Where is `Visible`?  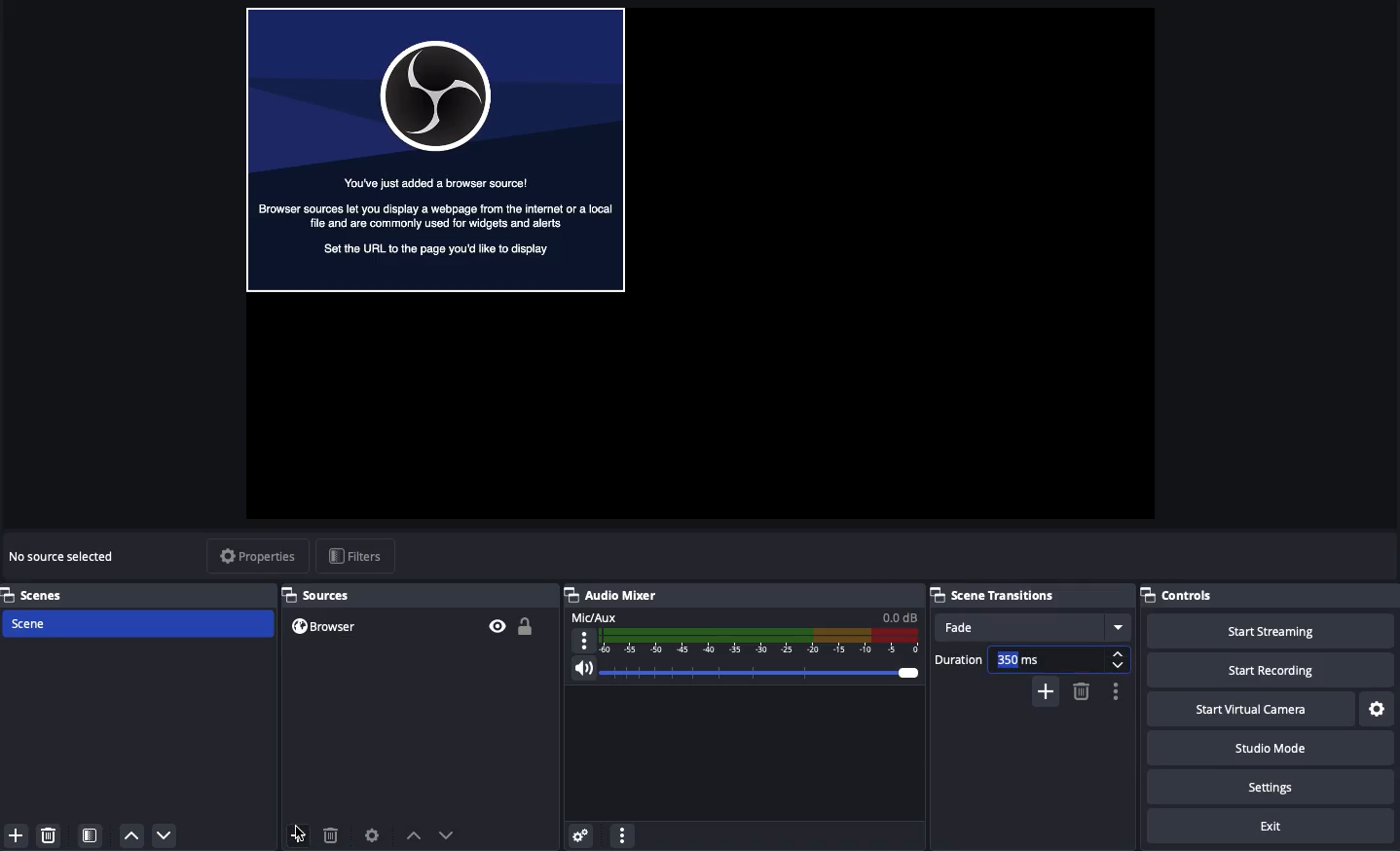
Visible is located at coordinates (497, 627).